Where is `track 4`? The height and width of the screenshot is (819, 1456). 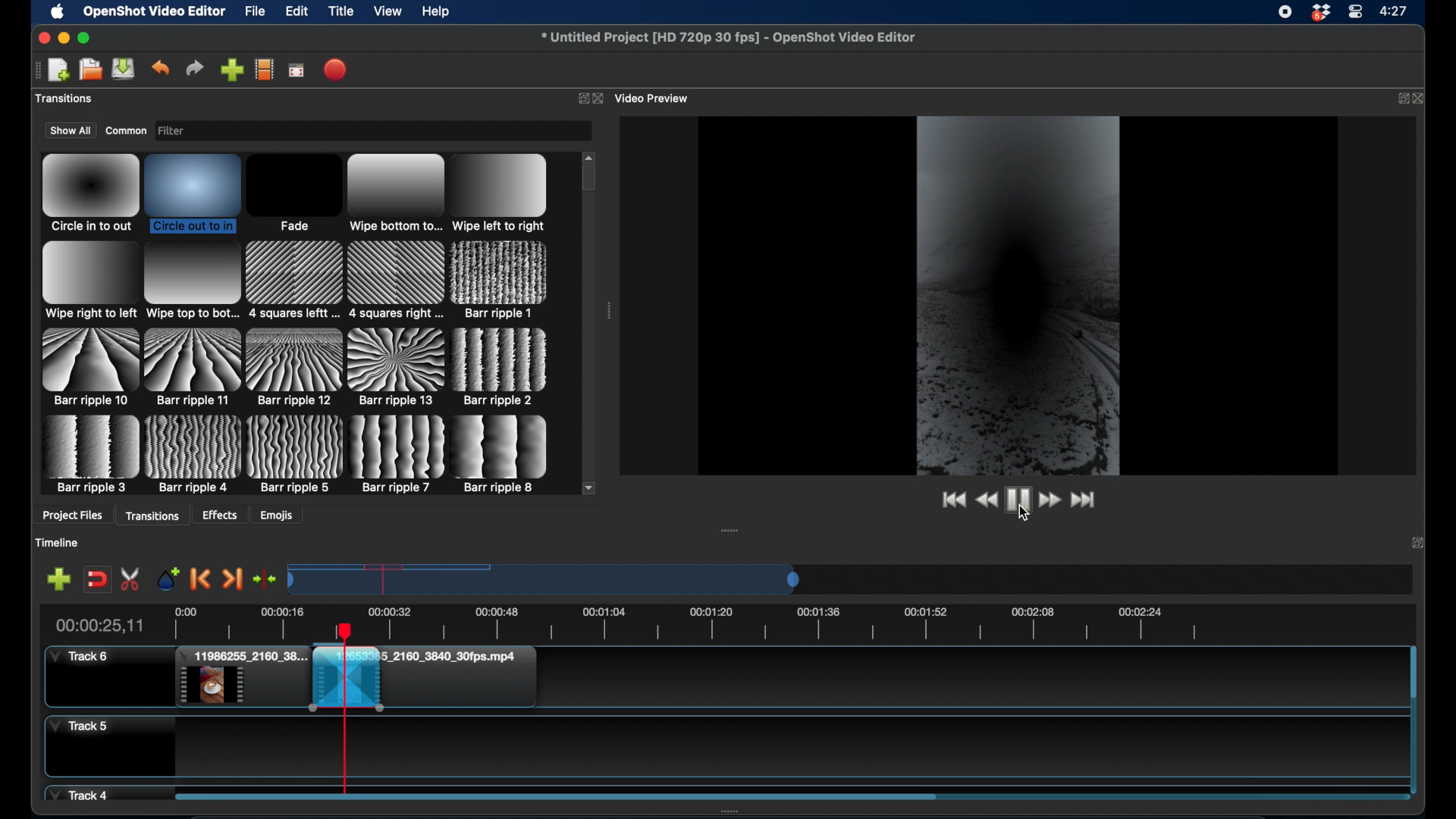
track 4 is located at coordinates (81, 793).